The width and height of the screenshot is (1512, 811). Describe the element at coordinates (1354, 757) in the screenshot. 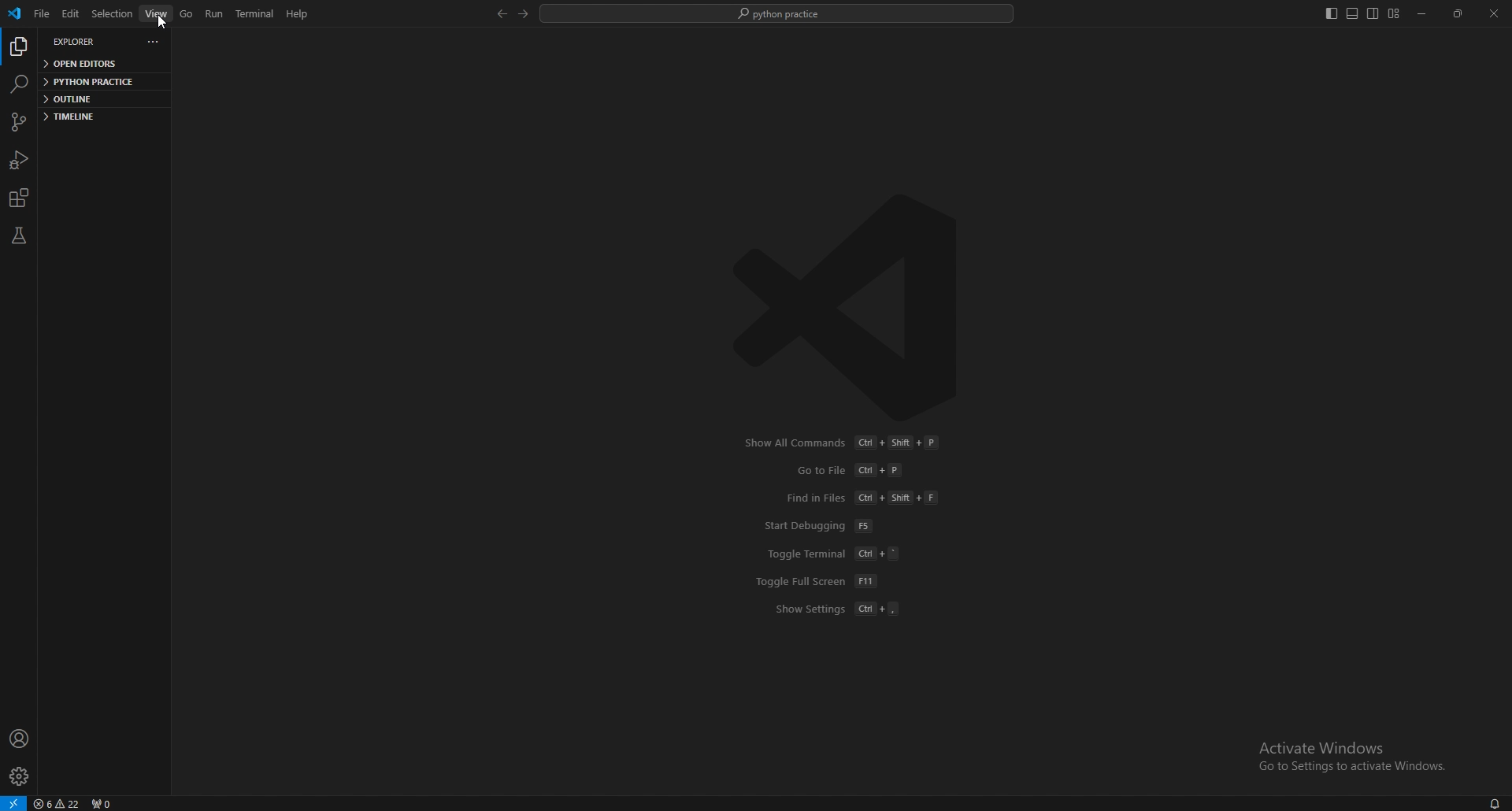

I see `Activate Windows
Go to Settings to activate Windows.` at that location.